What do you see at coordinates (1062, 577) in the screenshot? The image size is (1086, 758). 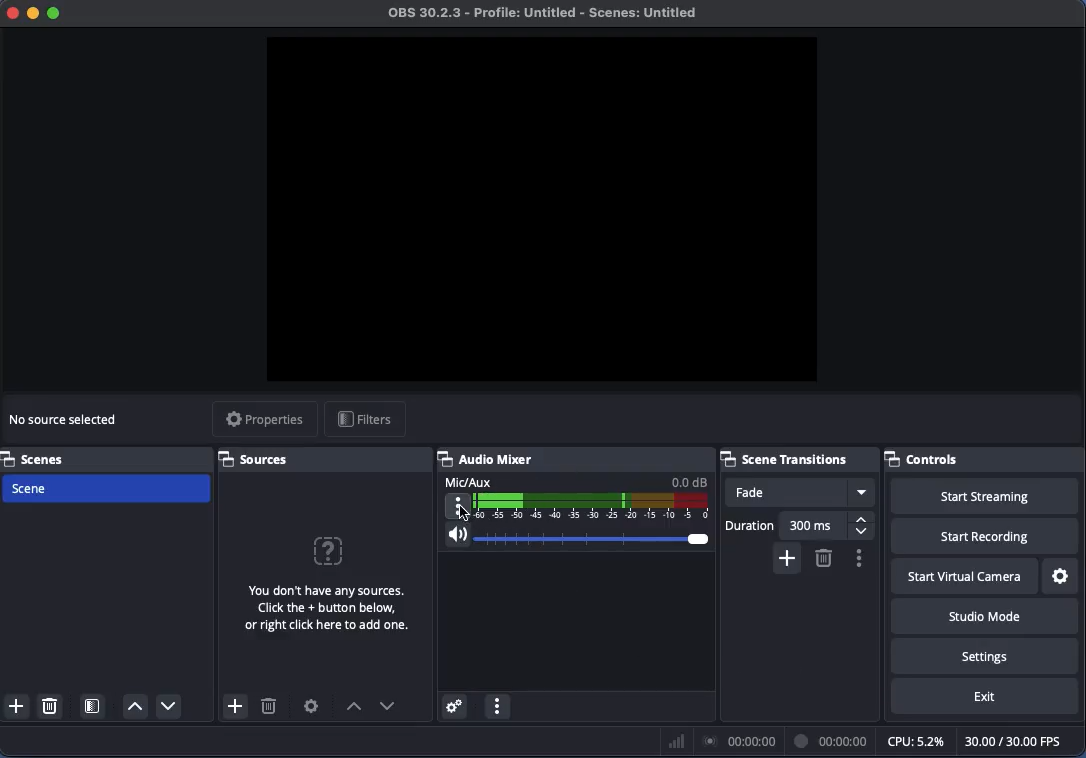 I see `Settings` at bounding box center [1062, 577].